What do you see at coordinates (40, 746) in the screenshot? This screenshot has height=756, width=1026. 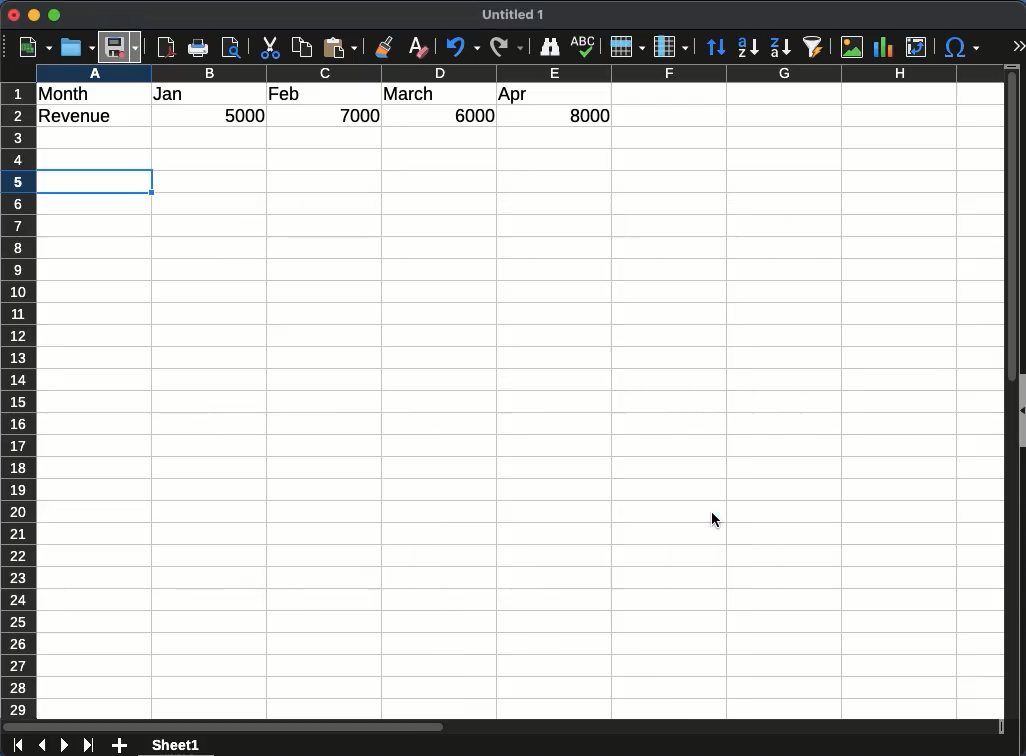 I see `previous sheet` at bounding box center [40, 746].